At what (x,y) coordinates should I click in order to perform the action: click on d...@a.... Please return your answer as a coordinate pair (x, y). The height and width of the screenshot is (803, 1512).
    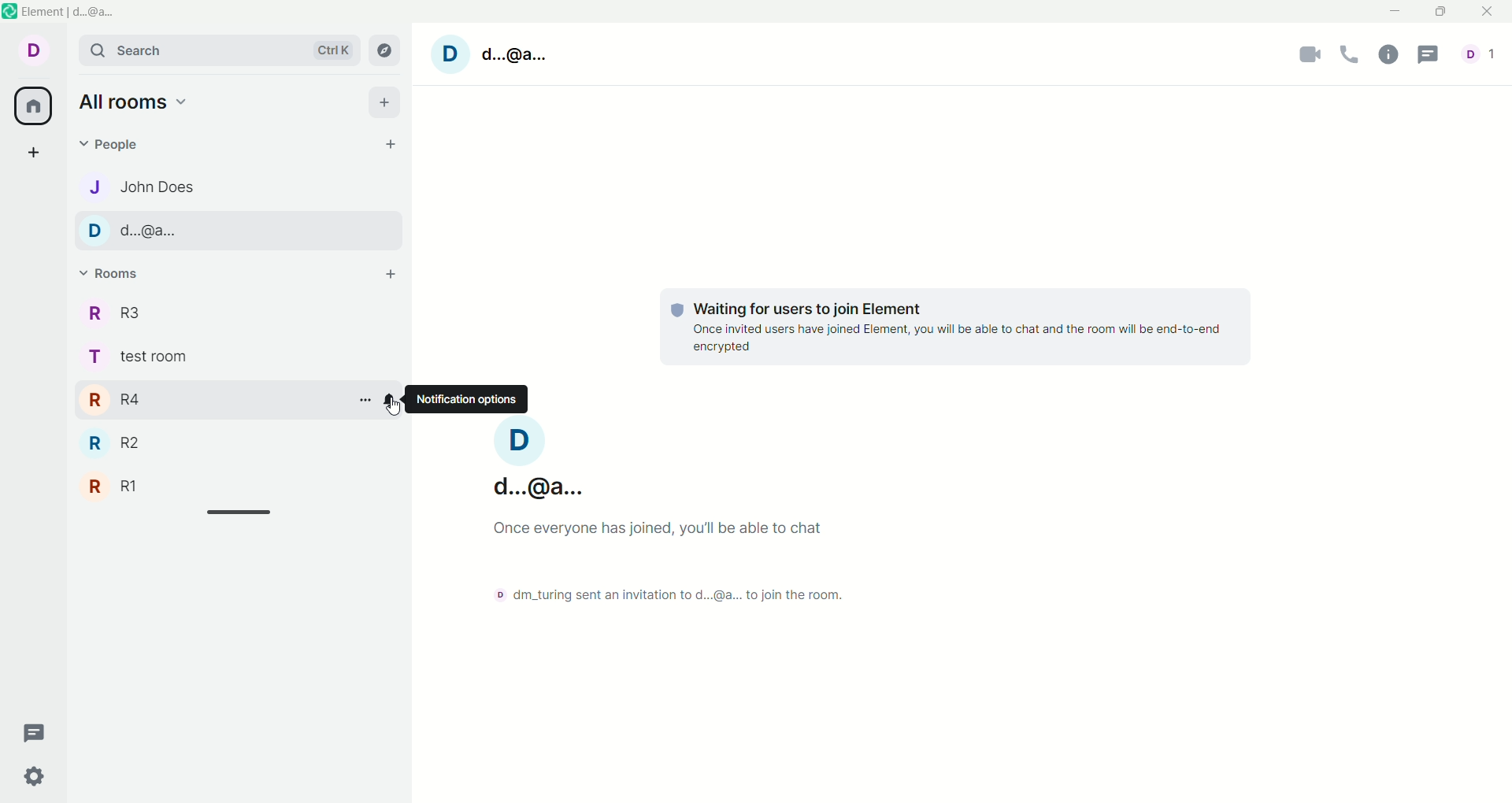
    Looking at the image, I should click on (539, 487).